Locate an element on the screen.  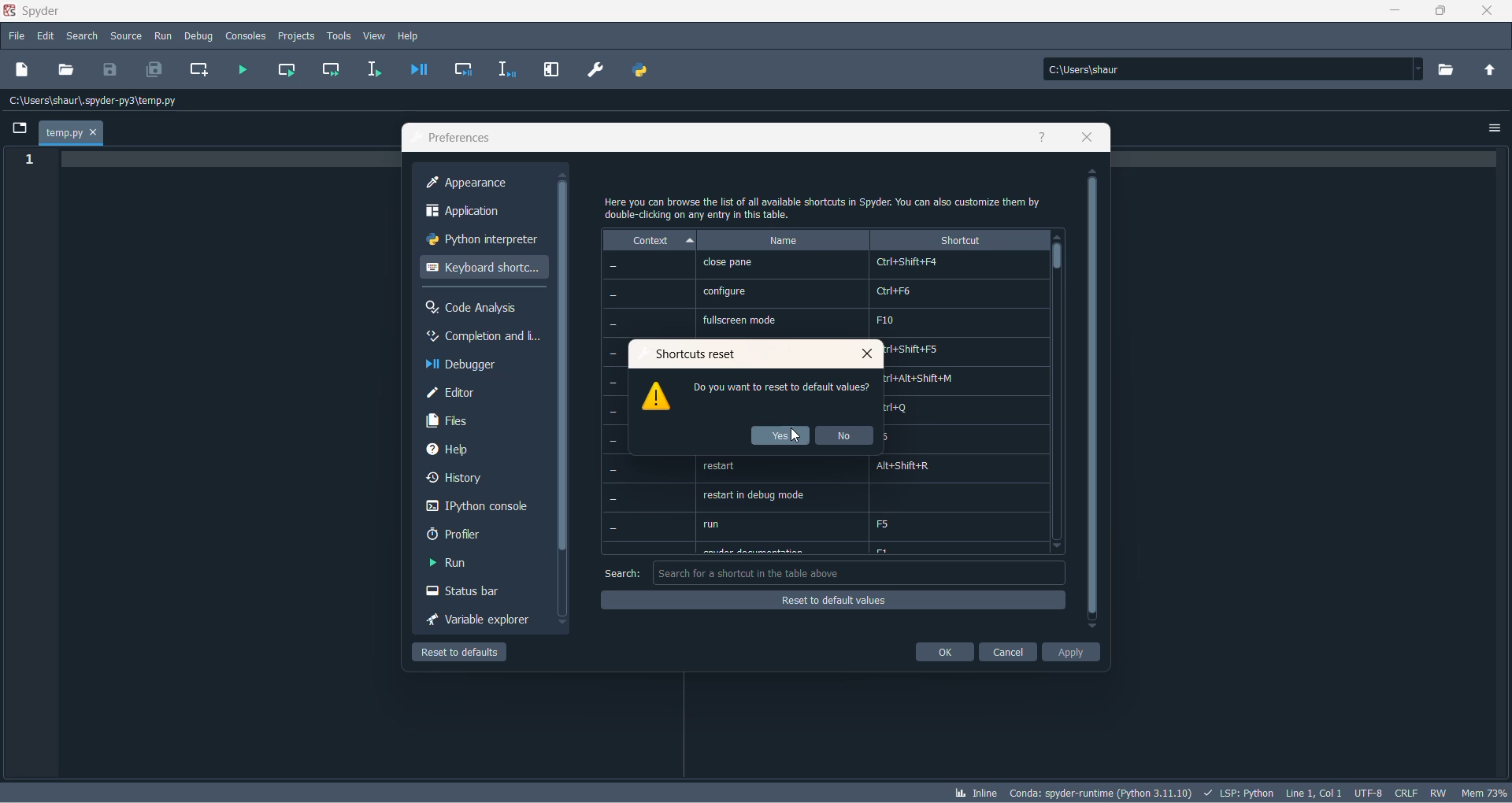
move down is located at coordinates (561, 623).